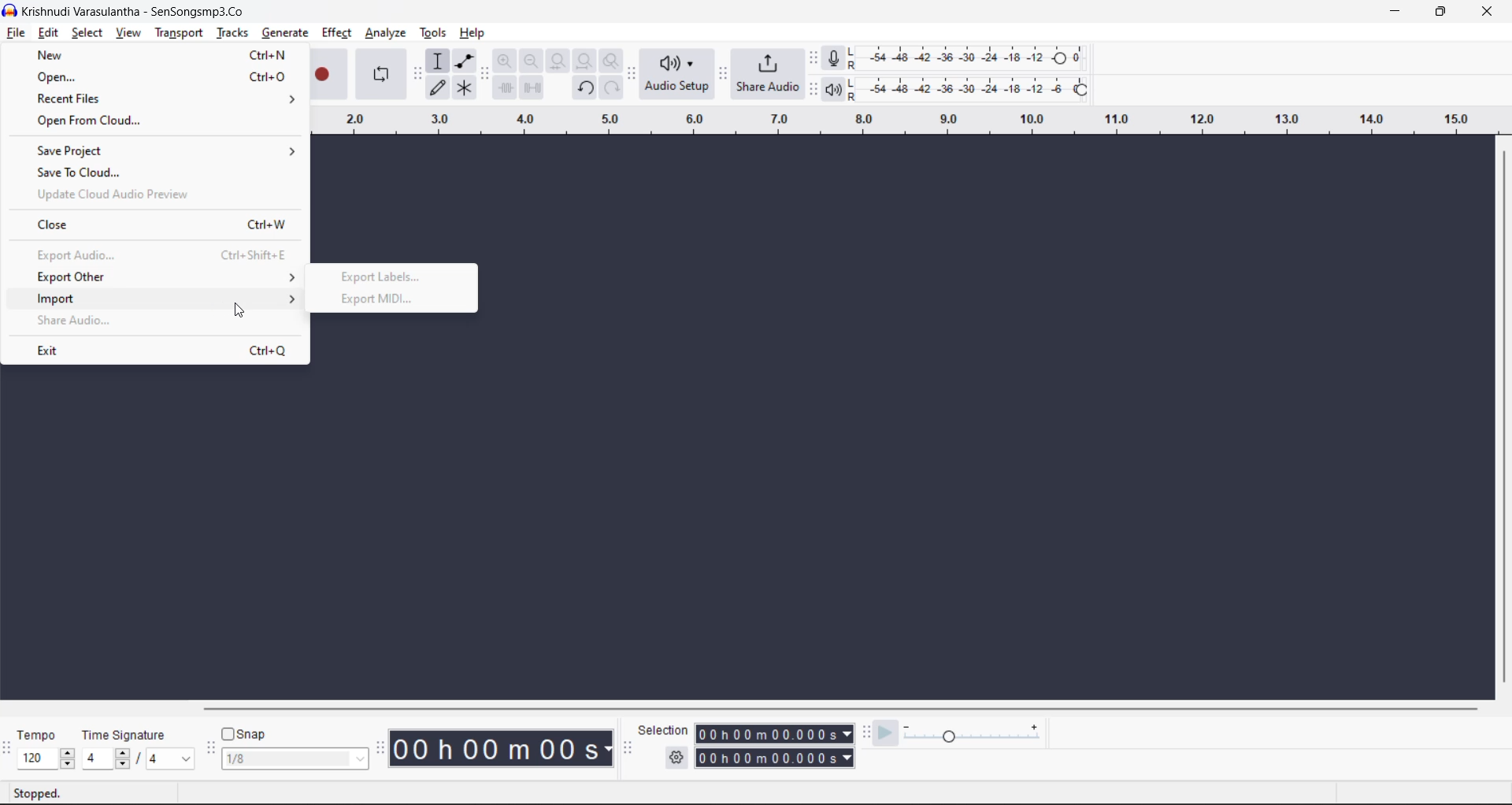  Describe the element at coordinates (885, 733) in the screenshot. I see `play at speed` at that location.